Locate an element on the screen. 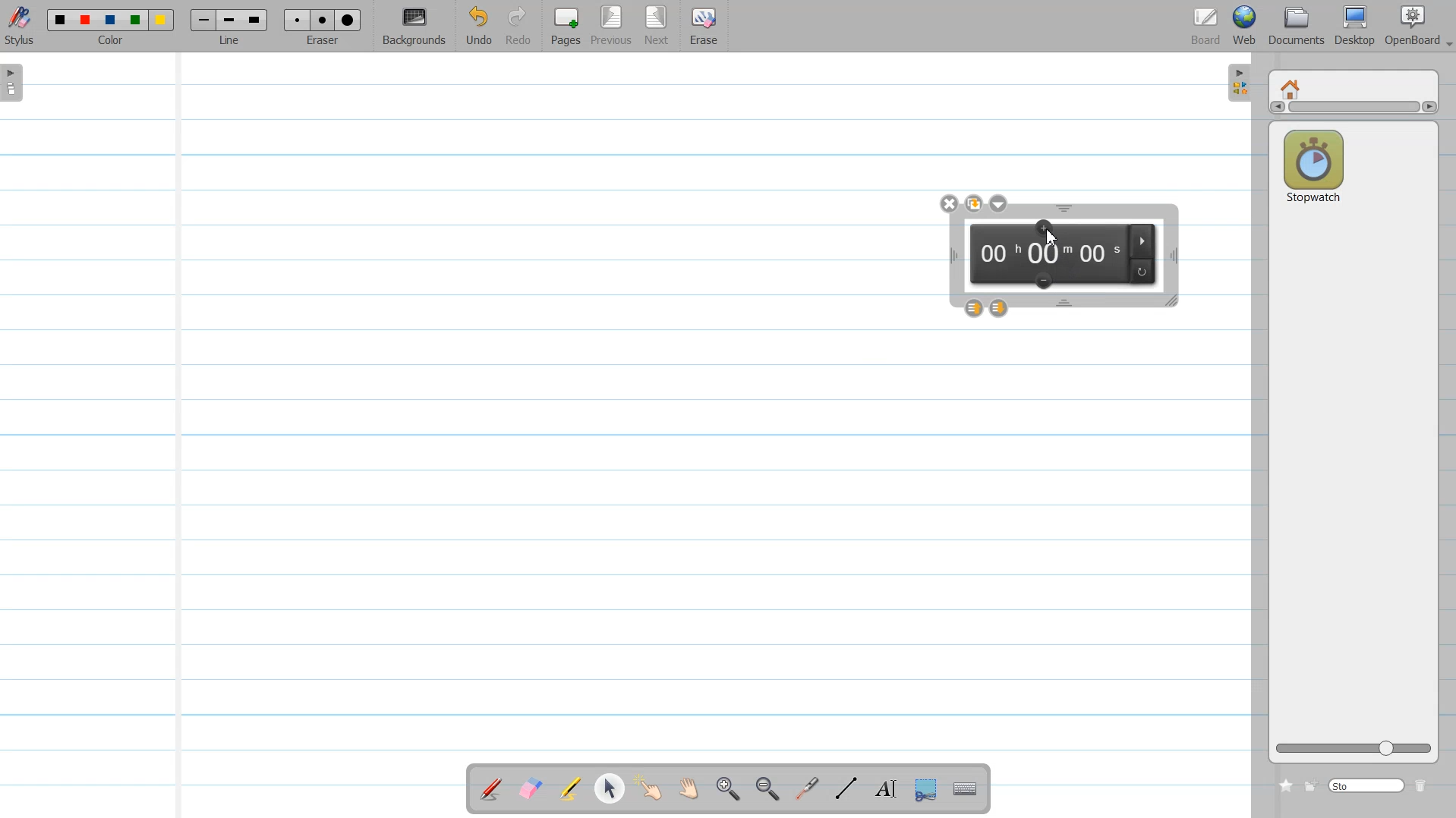 Image resolution: width=1456 pixels, height=818 pixels. Web is located at coordinates (1245, 26).